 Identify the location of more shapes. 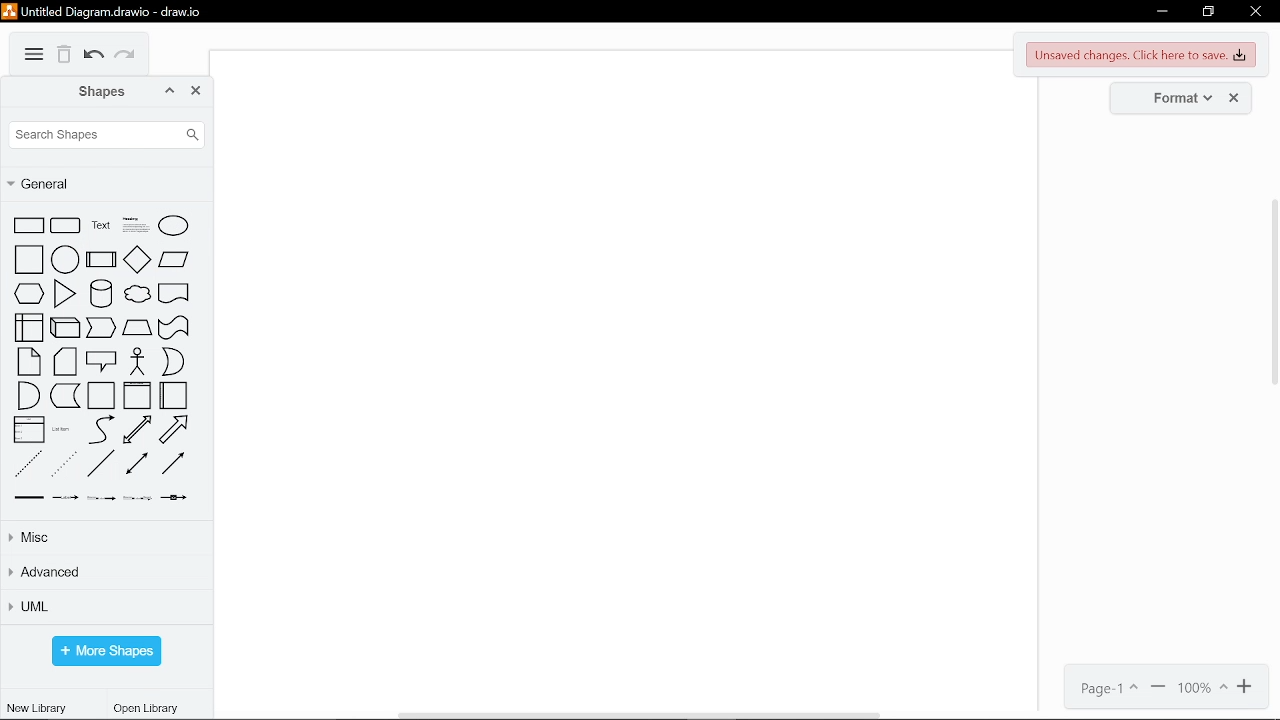
(106, 651).